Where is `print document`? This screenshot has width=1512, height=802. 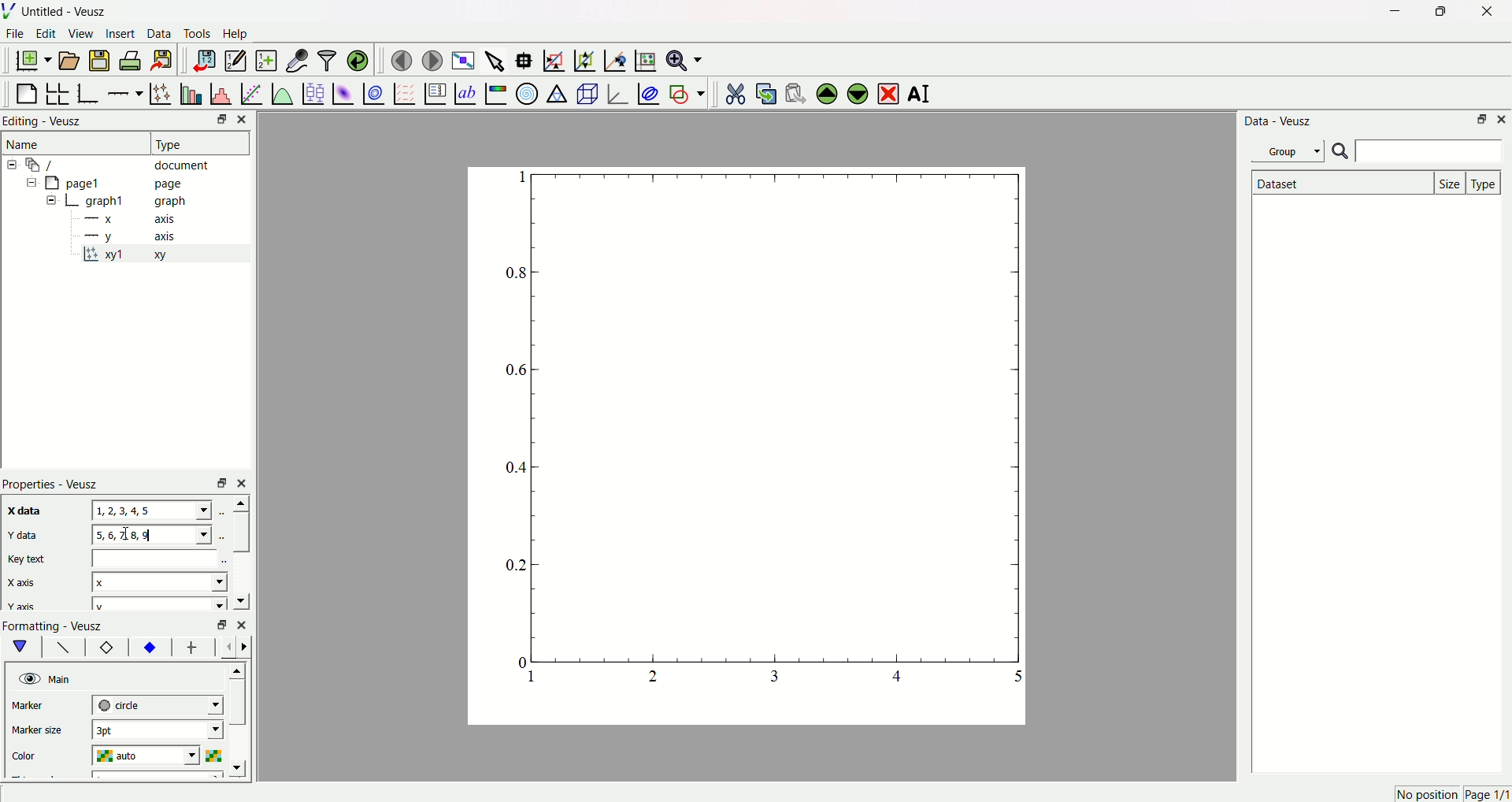
print document is located at coordinates (132, 62).